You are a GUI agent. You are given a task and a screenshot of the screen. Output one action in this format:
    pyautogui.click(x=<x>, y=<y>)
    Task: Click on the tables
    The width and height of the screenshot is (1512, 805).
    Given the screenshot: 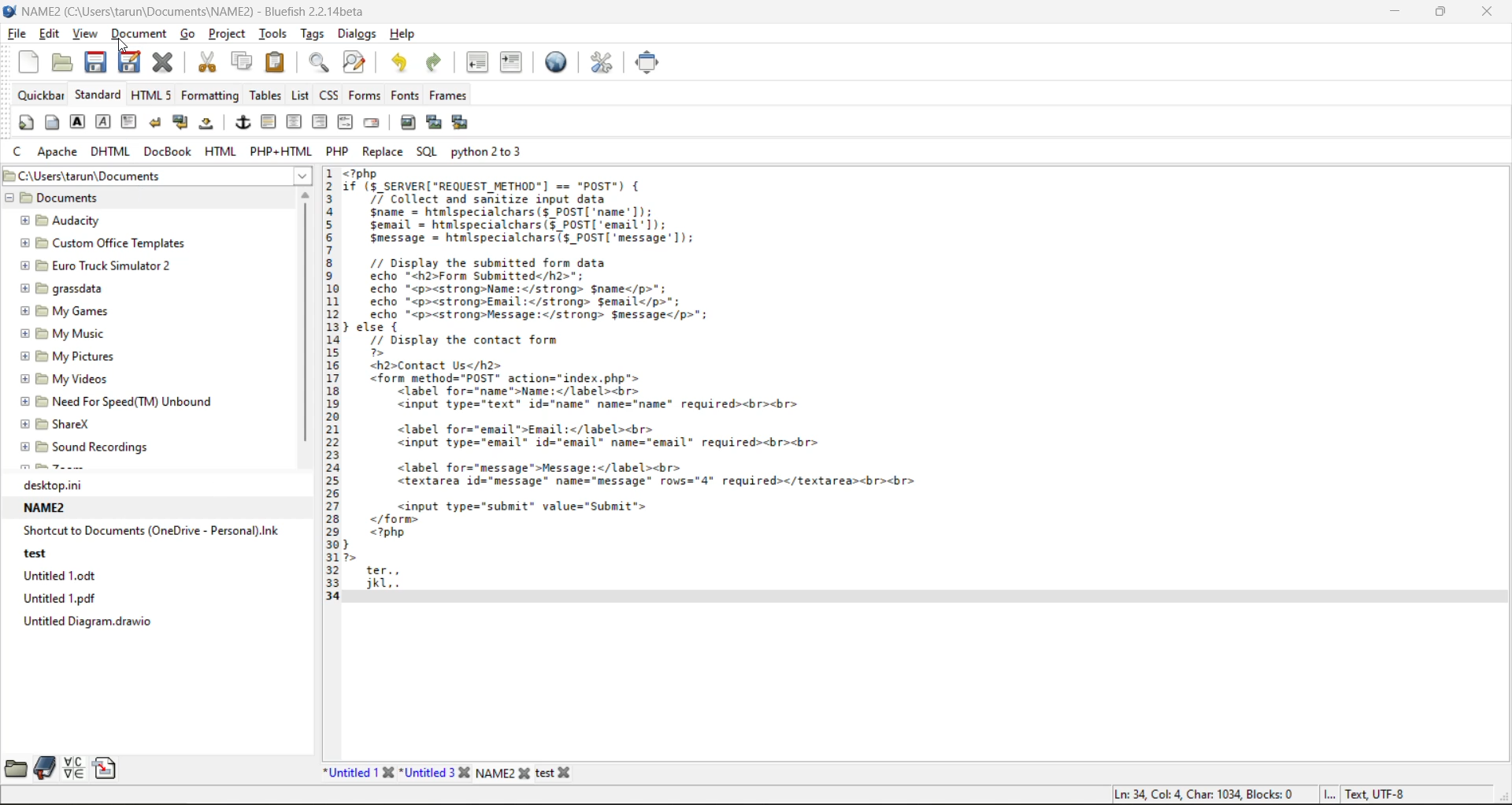 What is the action you would take?
    pyautogui.click(x=265, y=95)
    